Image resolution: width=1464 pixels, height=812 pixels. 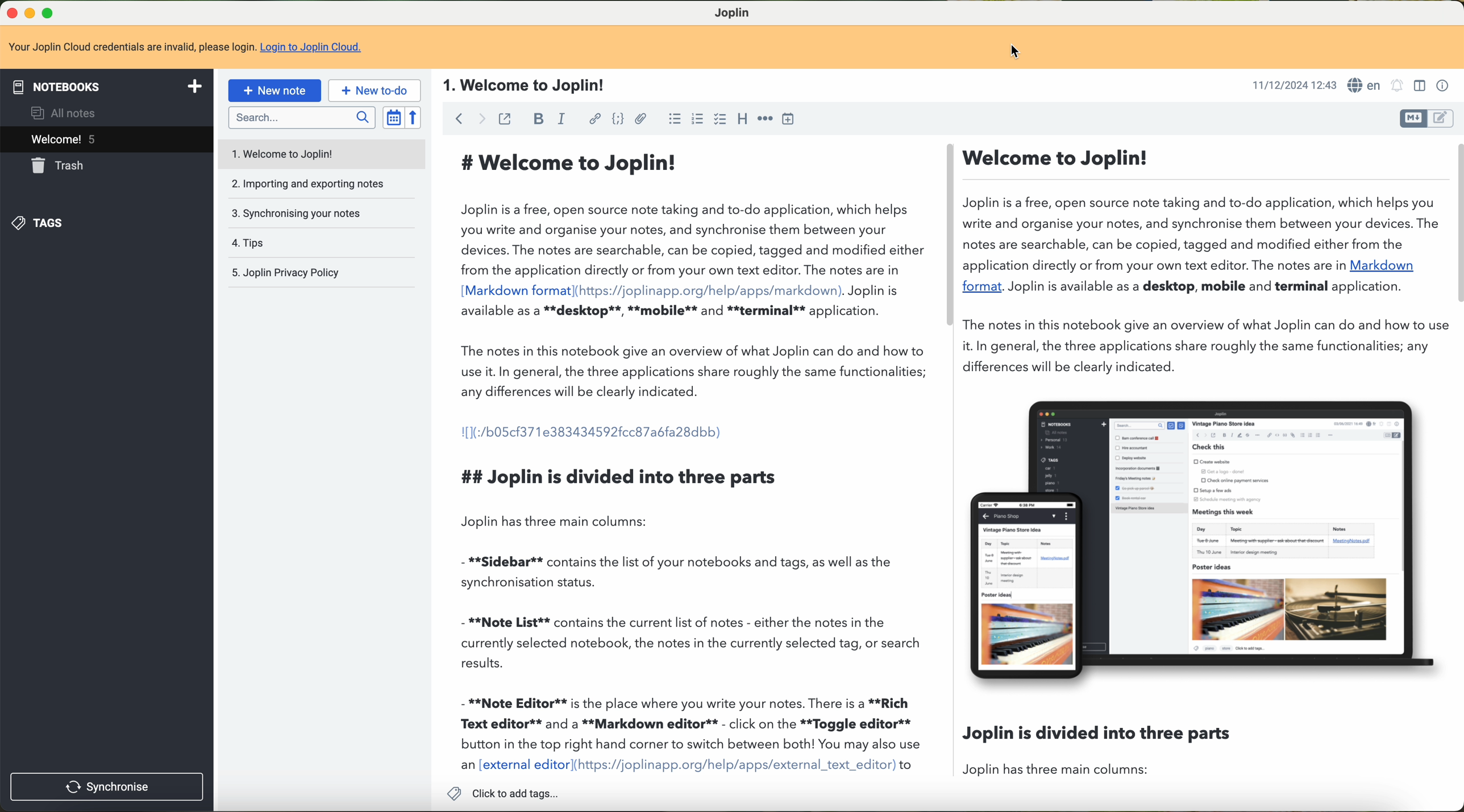 I want to click on all notes, so click(x=63, y=111).